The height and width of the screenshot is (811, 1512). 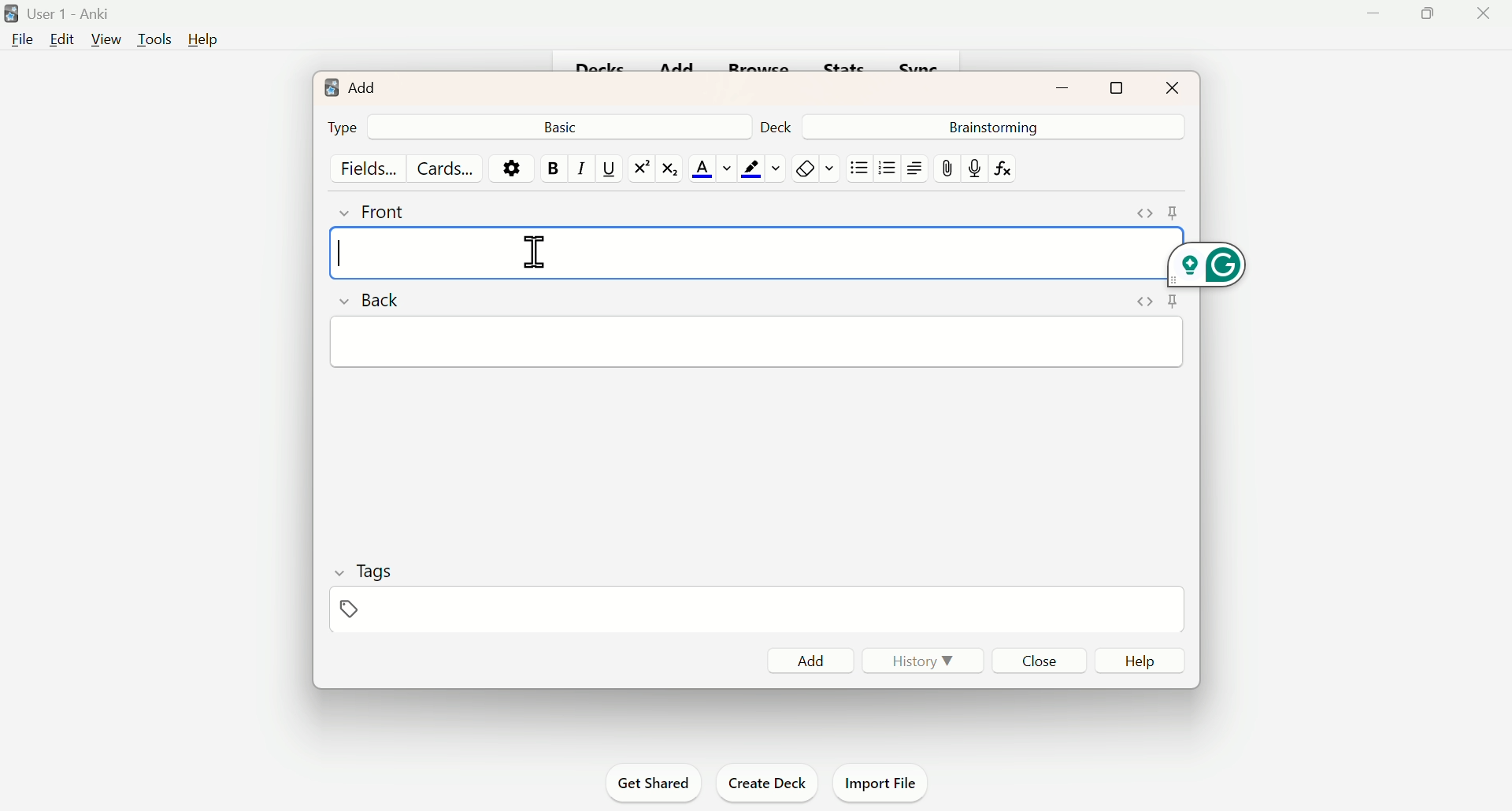 What do you see at coordinates (352, 86) in the screenshot?
I see `Add` at bounding box center [352, 86].